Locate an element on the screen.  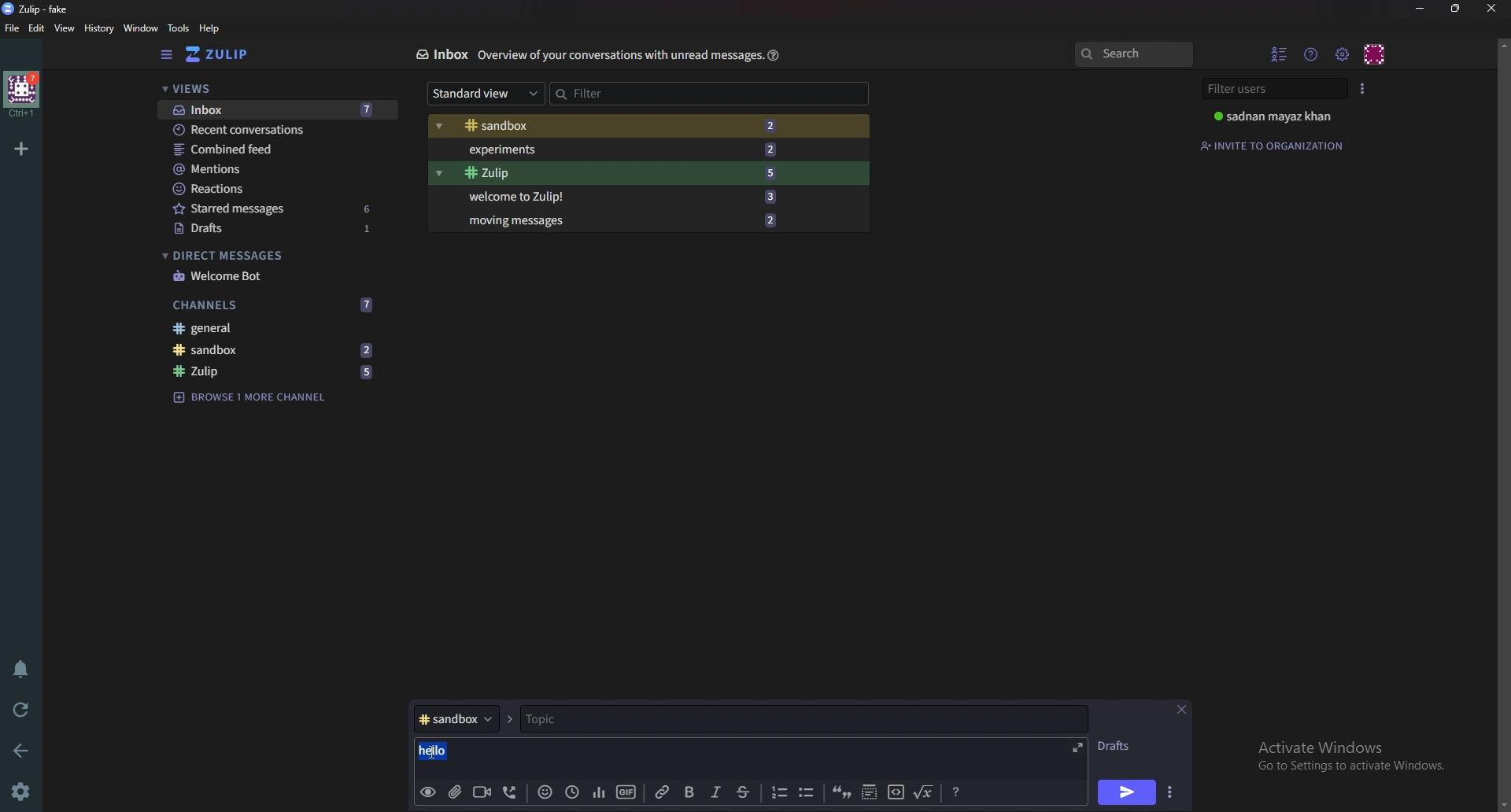
# General is located at coordinates (272, 328).